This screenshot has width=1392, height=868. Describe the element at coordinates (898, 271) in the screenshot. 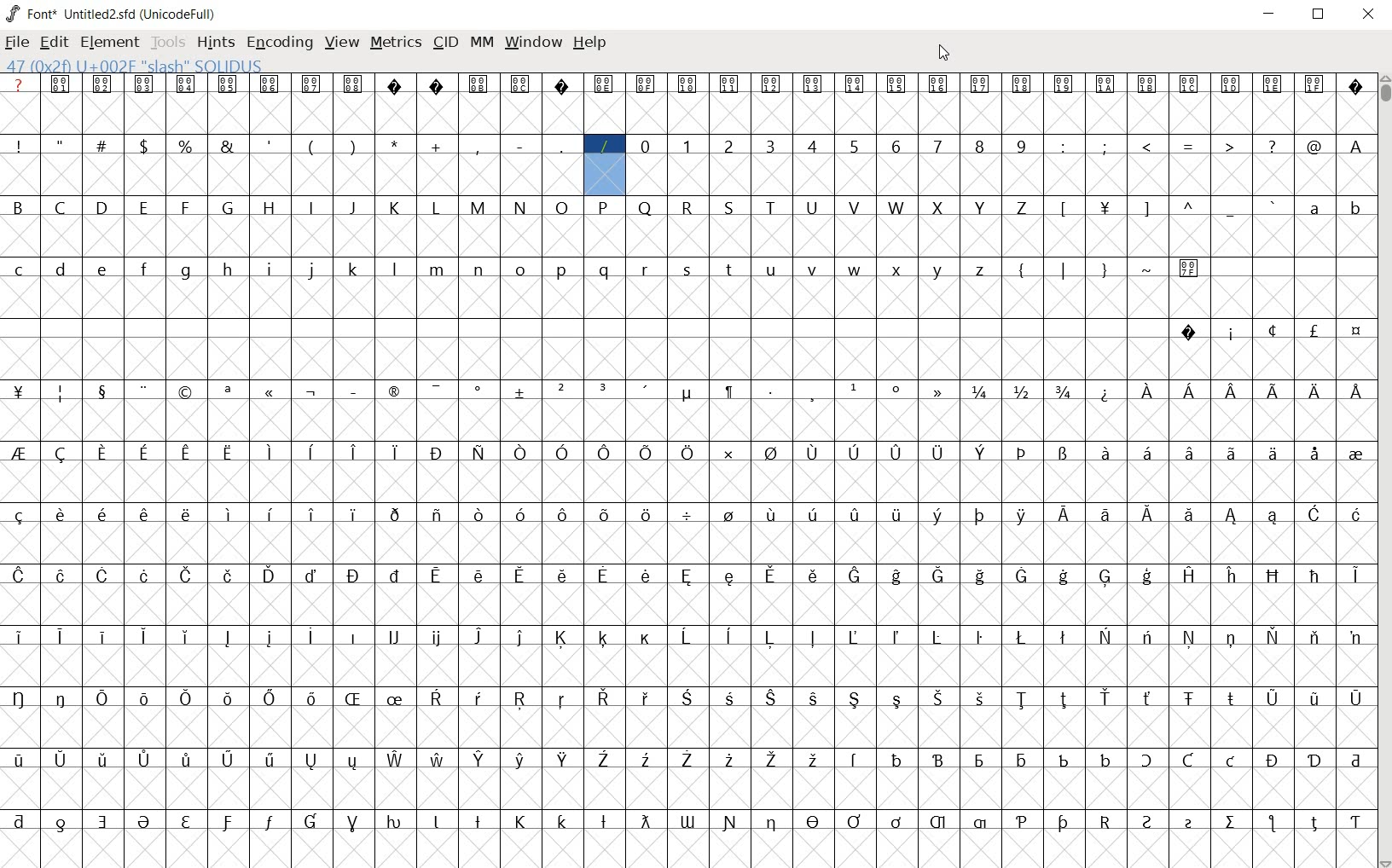

I see `glyph` at that location.